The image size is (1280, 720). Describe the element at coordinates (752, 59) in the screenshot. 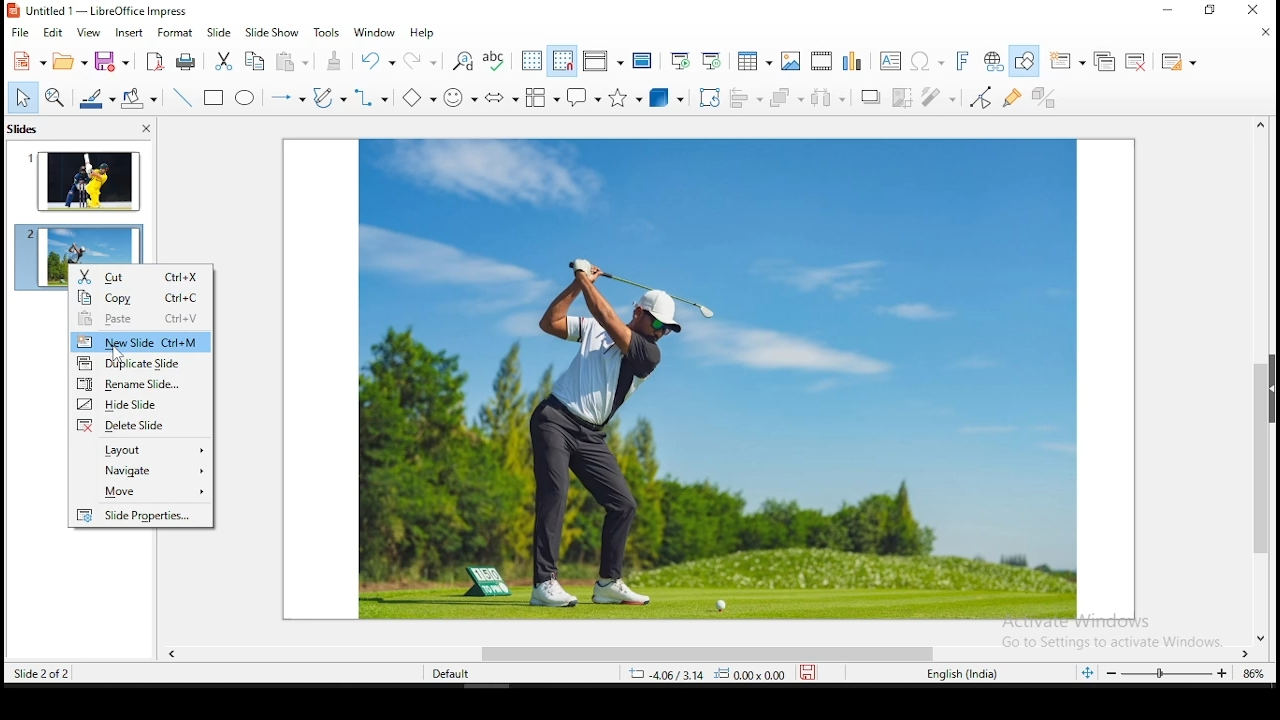

I see `tables` at that location.